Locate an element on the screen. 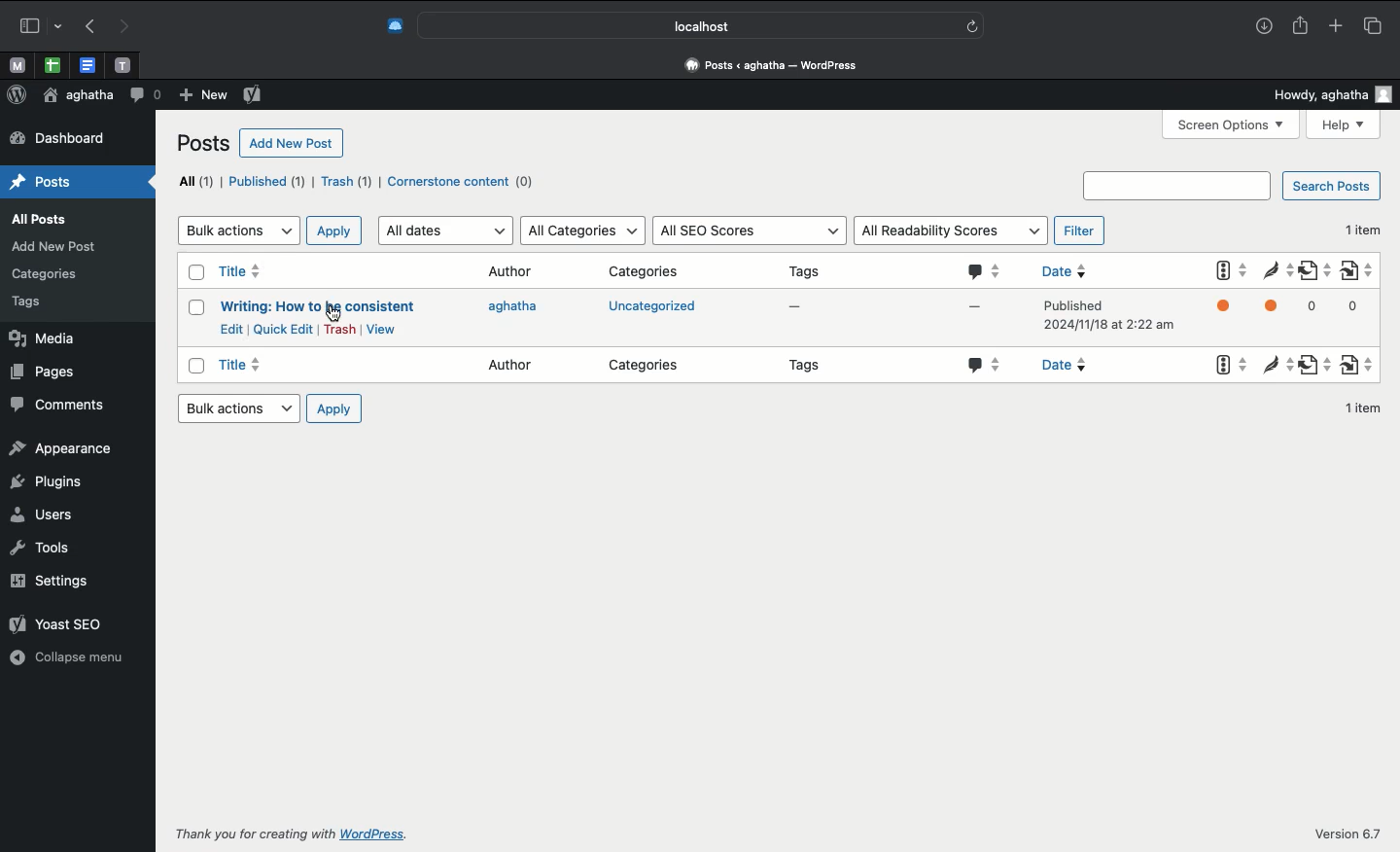  Comments is located at coordinates (982, 361).